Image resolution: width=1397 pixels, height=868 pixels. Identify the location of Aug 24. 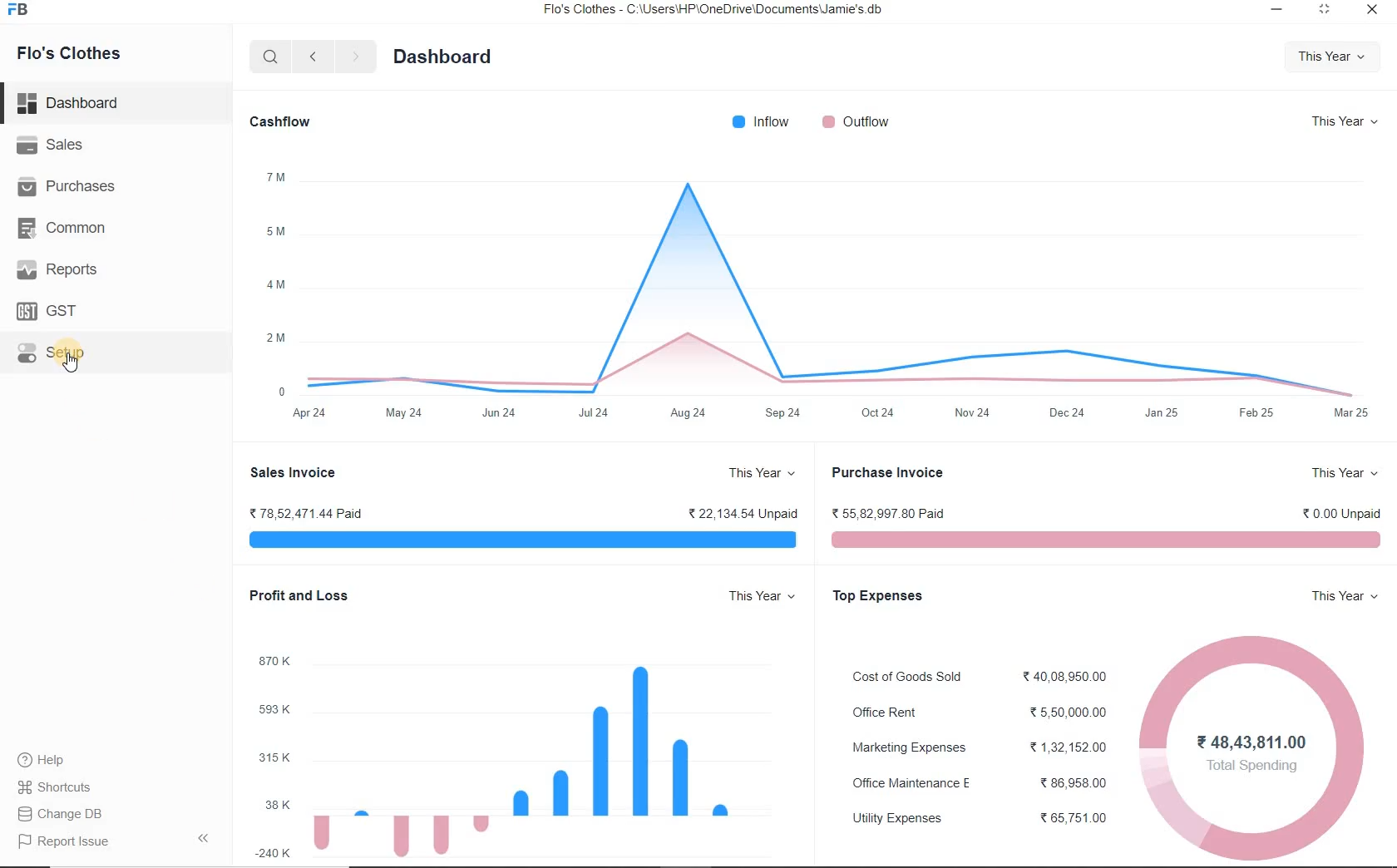
(689, 412).